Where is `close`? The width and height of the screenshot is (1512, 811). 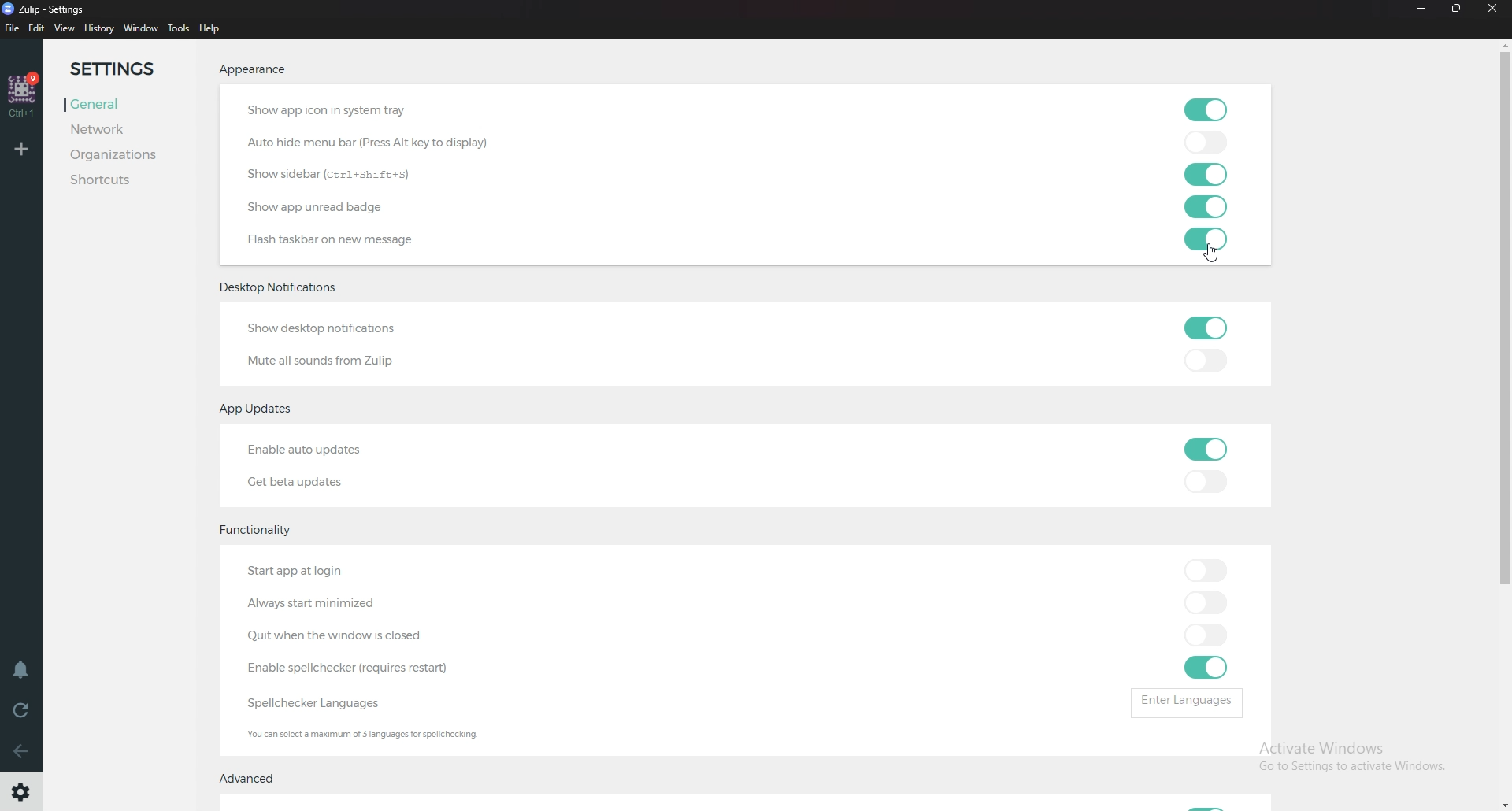
close is located at coordinates (1498, 9).